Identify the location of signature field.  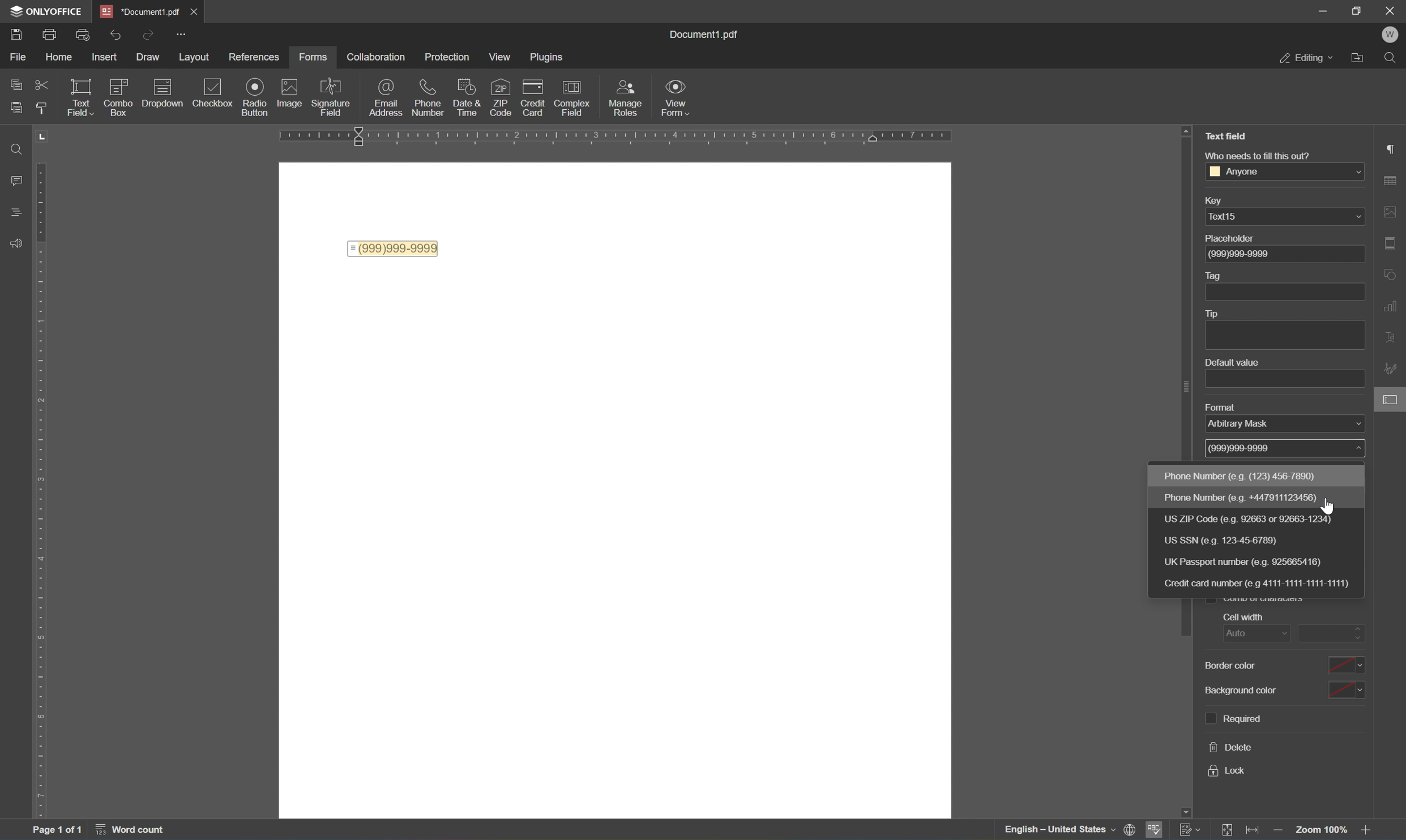
(332, 97).